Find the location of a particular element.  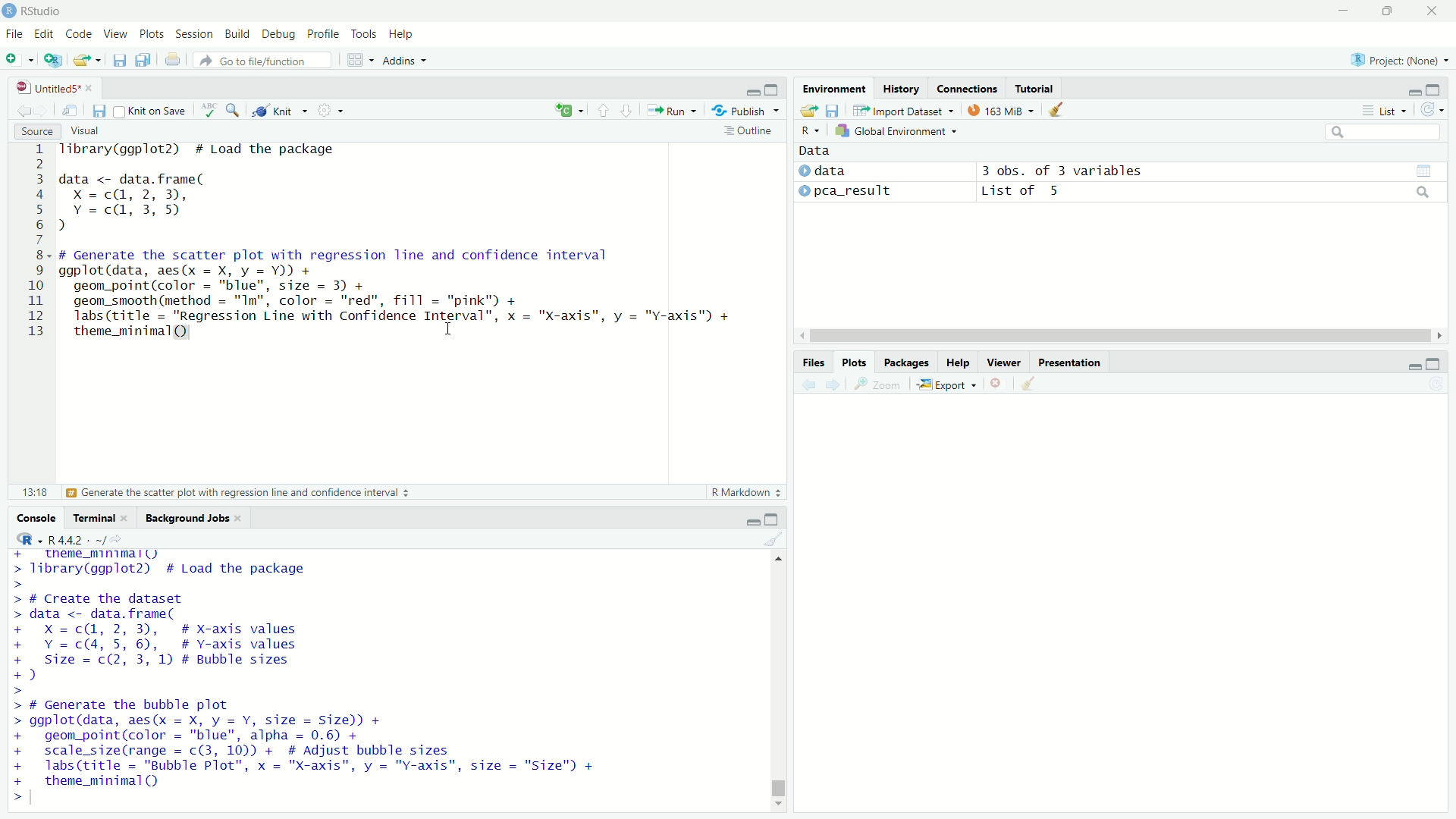

Project: (None) is located at coordinates (1398, 59).